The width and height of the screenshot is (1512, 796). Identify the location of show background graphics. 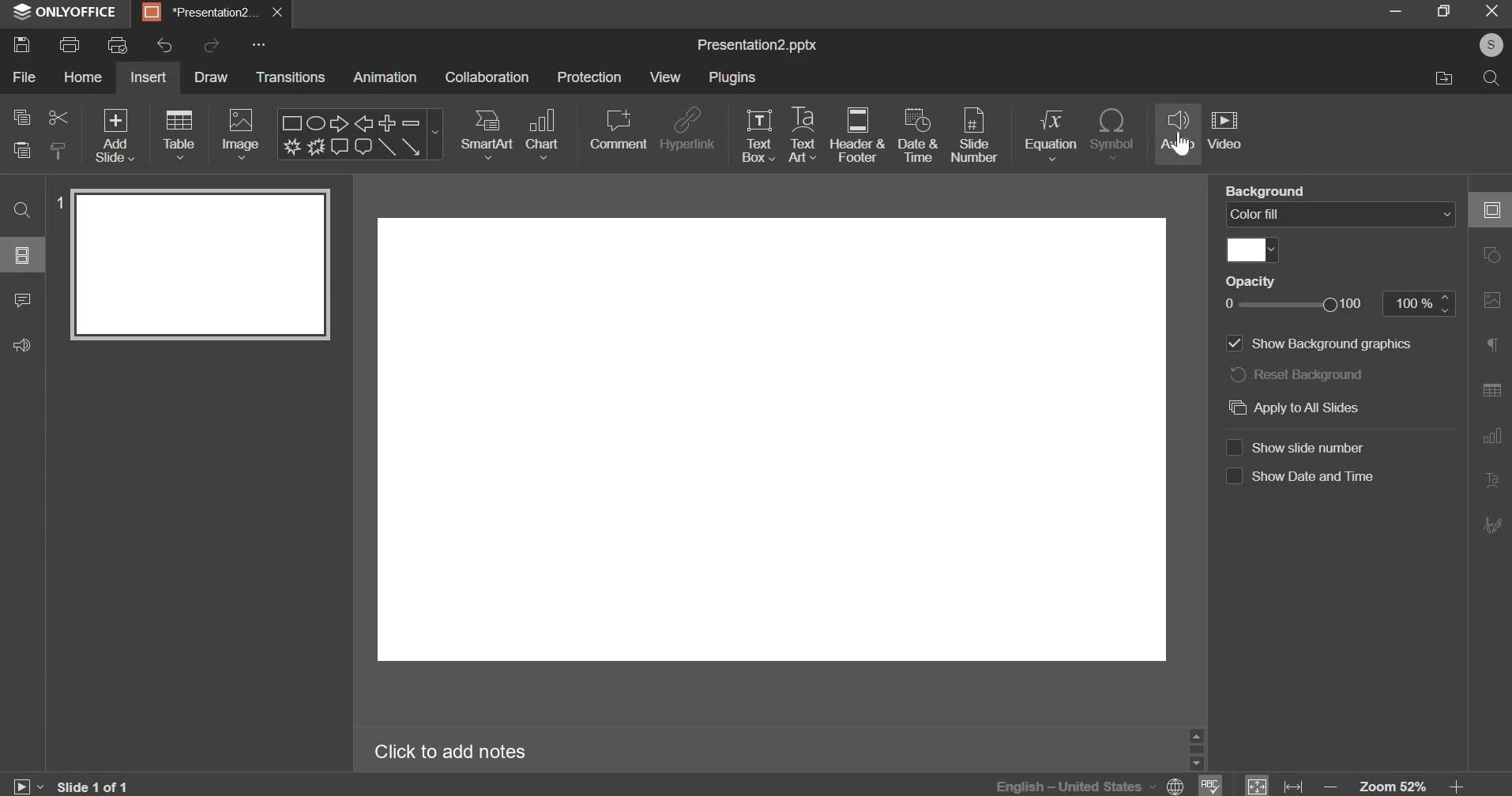
(1317, 344).